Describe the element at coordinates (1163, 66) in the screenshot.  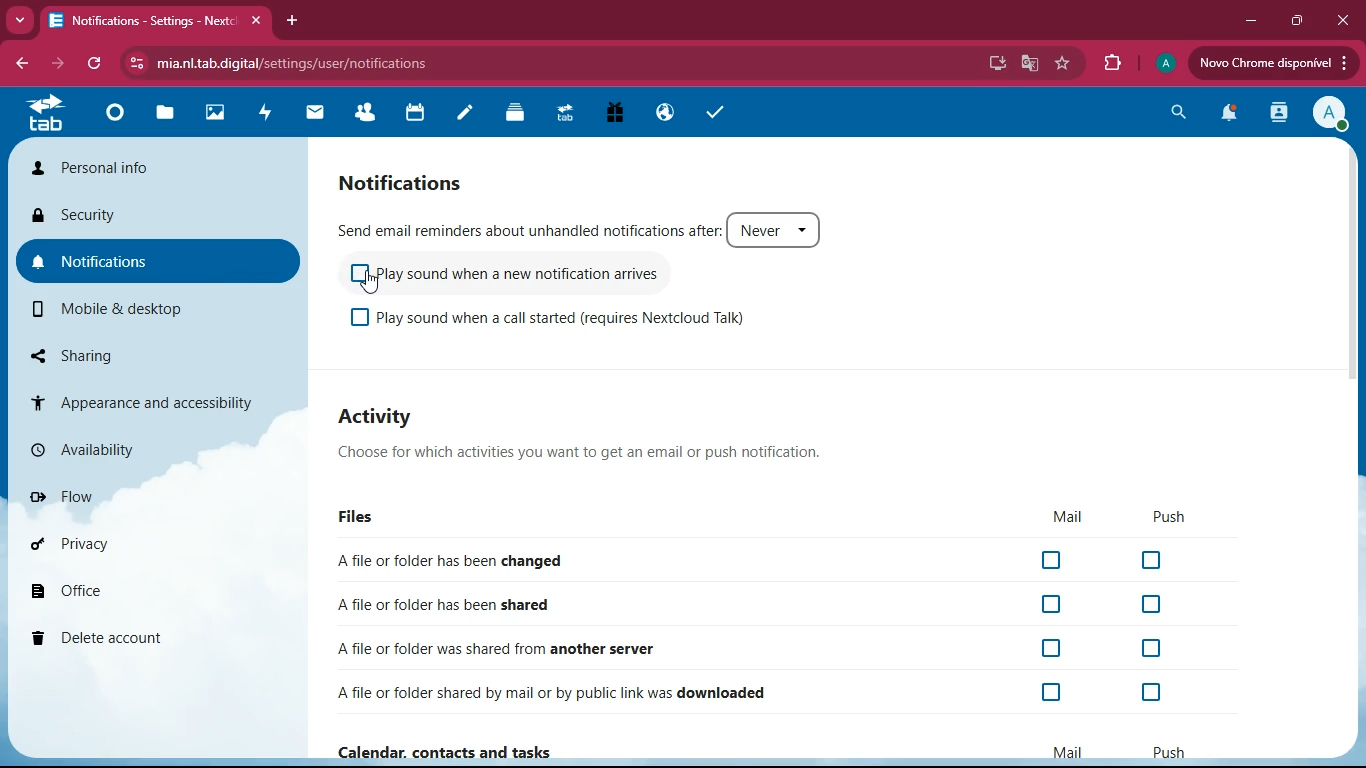
I see `profile` at that location.